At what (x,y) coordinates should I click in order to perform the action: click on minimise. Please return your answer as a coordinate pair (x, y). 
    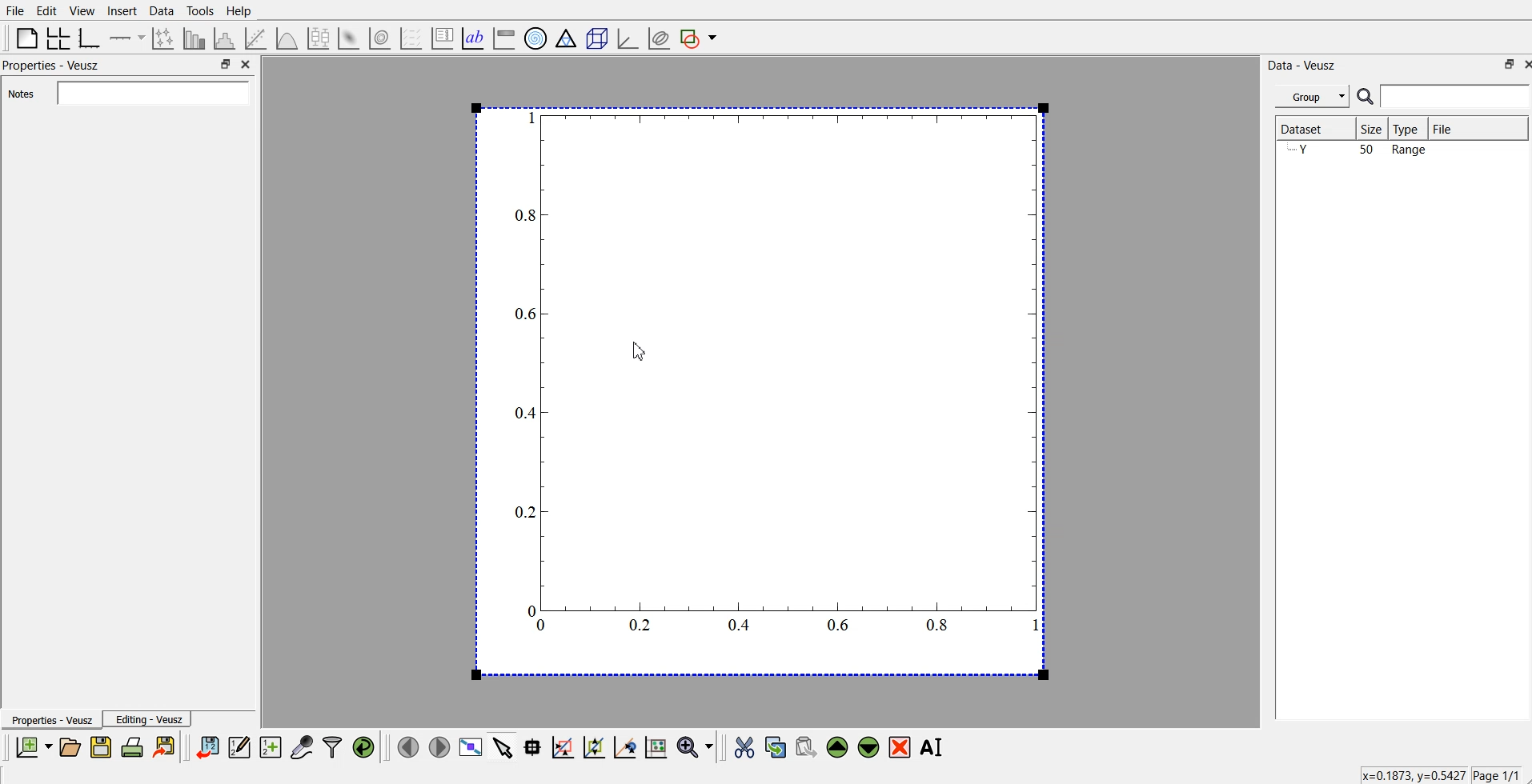
    Looking at the image, I should click on (1504, 64).